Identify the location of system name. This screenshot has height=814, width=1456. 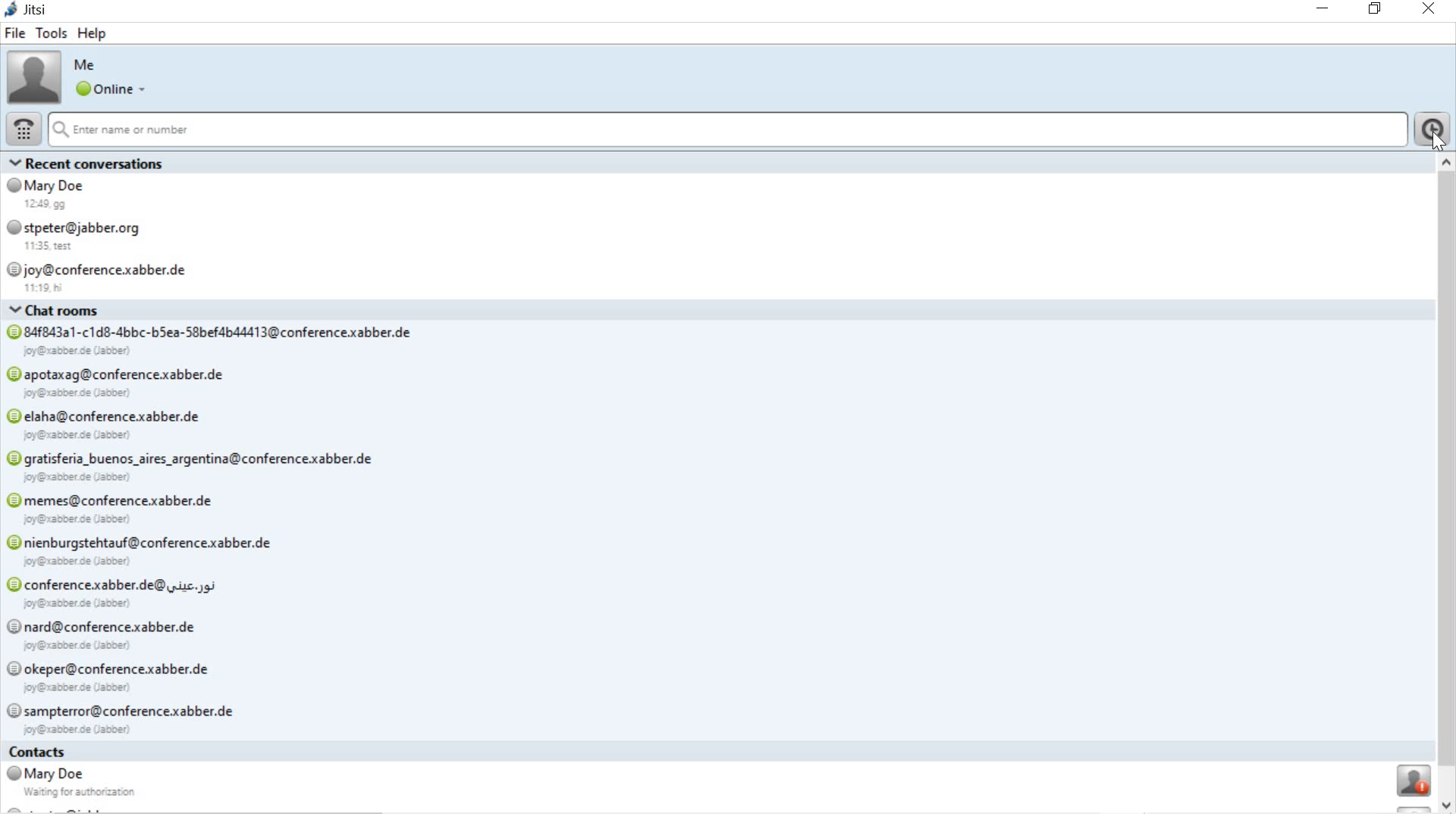
(27, 11).